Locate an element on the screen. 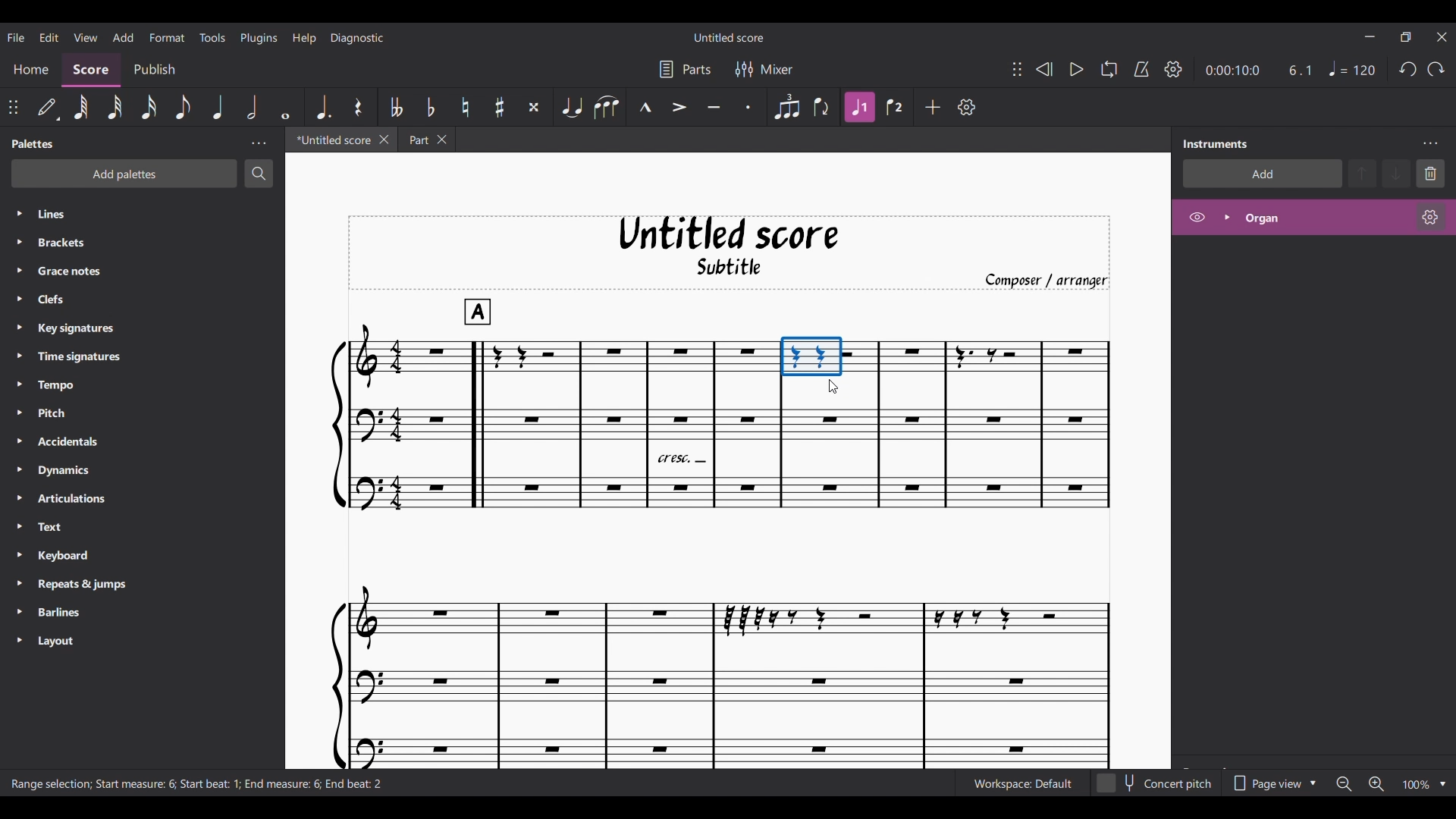  Current workspace setting is located at coordinates (1022, 784).